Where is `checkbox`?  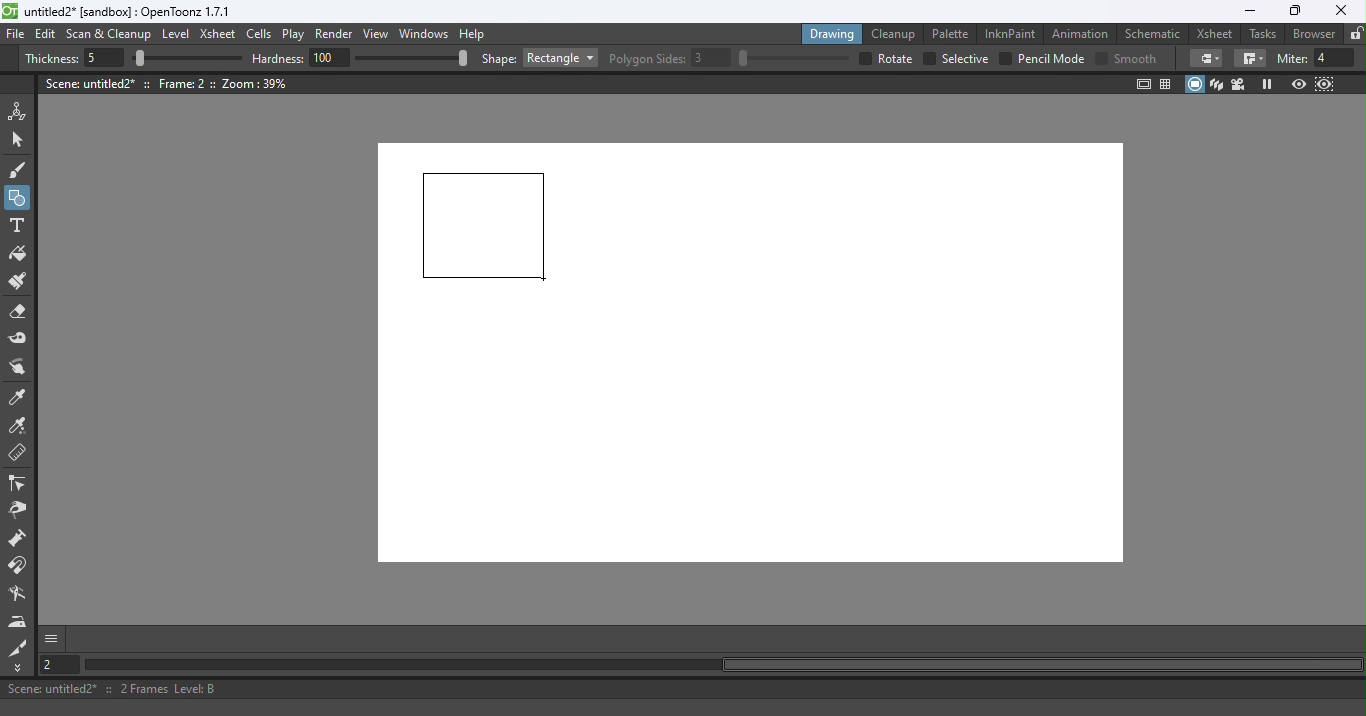 checkbox is located at coordinates (928, 59).